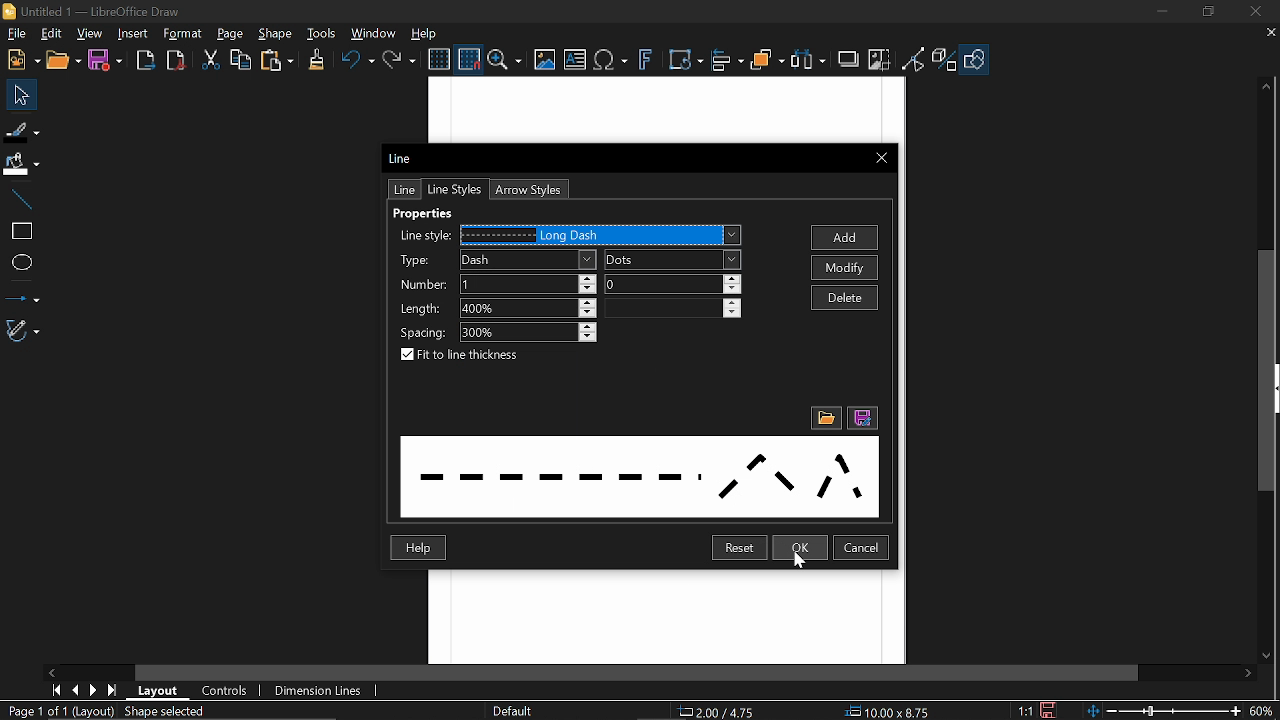  What do you see at coordinates (23, 294) in the screenshot?
I see `Lines and arrows` at bounding box center [23, 294].